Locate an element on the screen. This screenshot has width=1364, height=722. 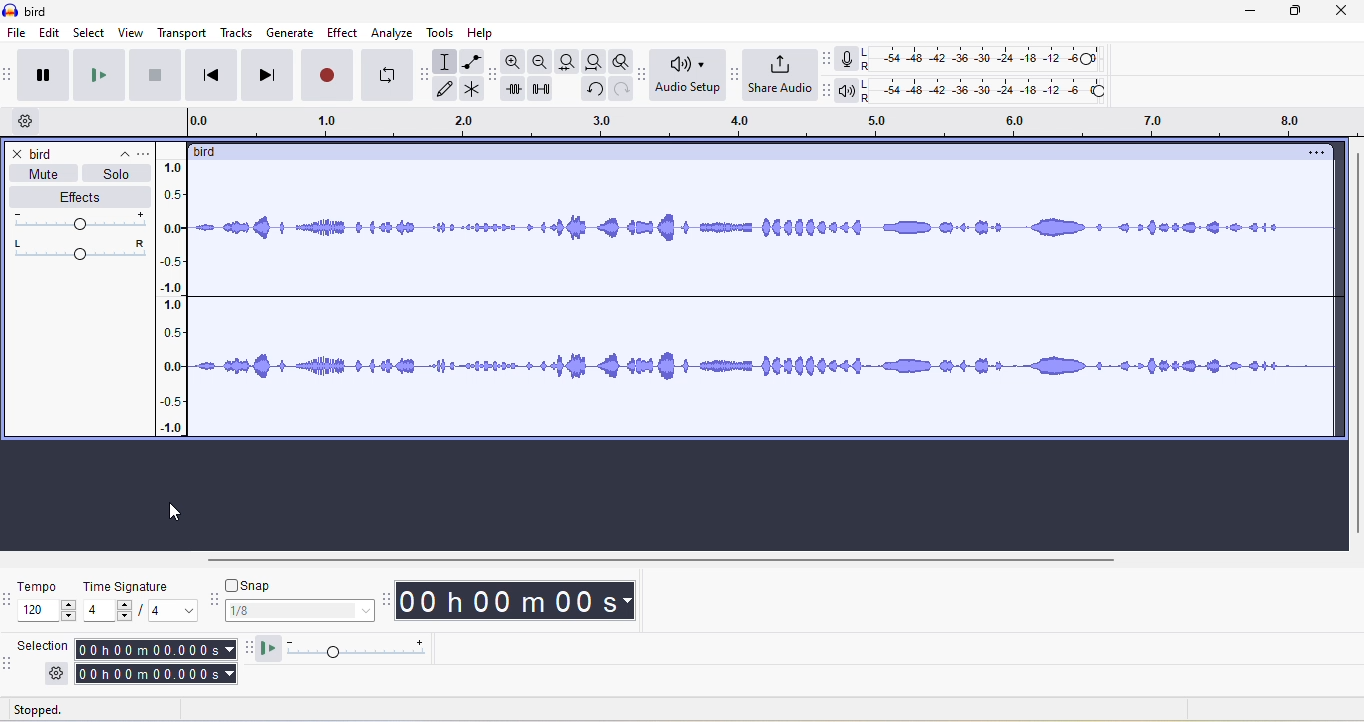
redo is located at coordinates (618, 95).